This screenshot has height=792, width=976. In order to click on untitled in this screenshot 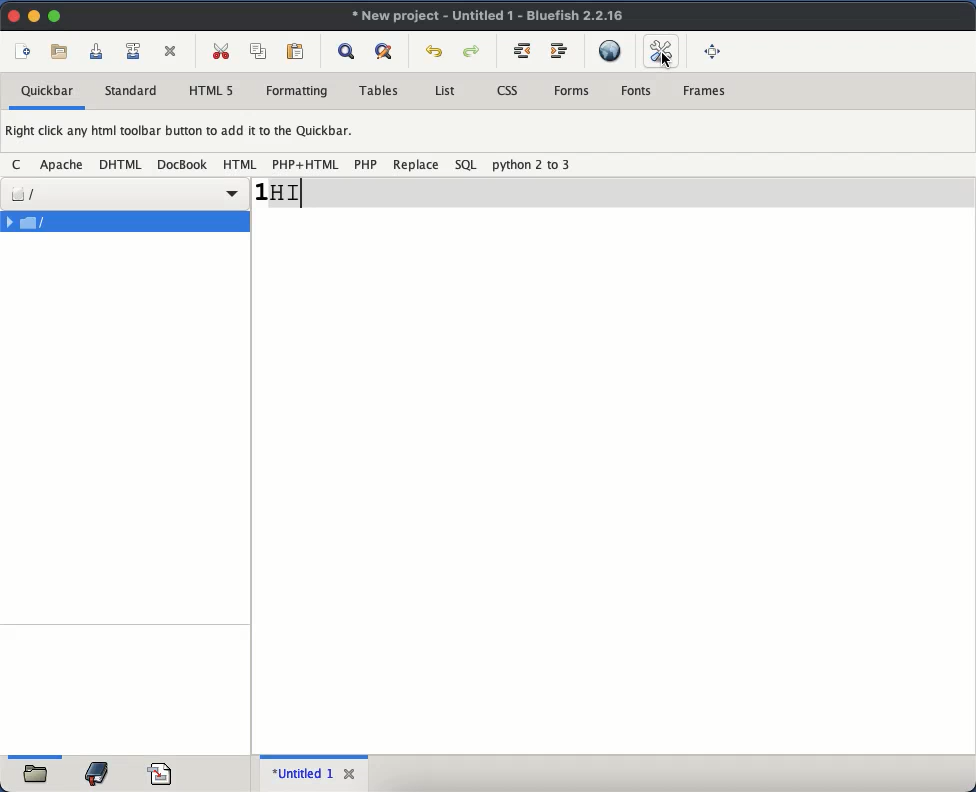, I will do `click(491, 19)`.